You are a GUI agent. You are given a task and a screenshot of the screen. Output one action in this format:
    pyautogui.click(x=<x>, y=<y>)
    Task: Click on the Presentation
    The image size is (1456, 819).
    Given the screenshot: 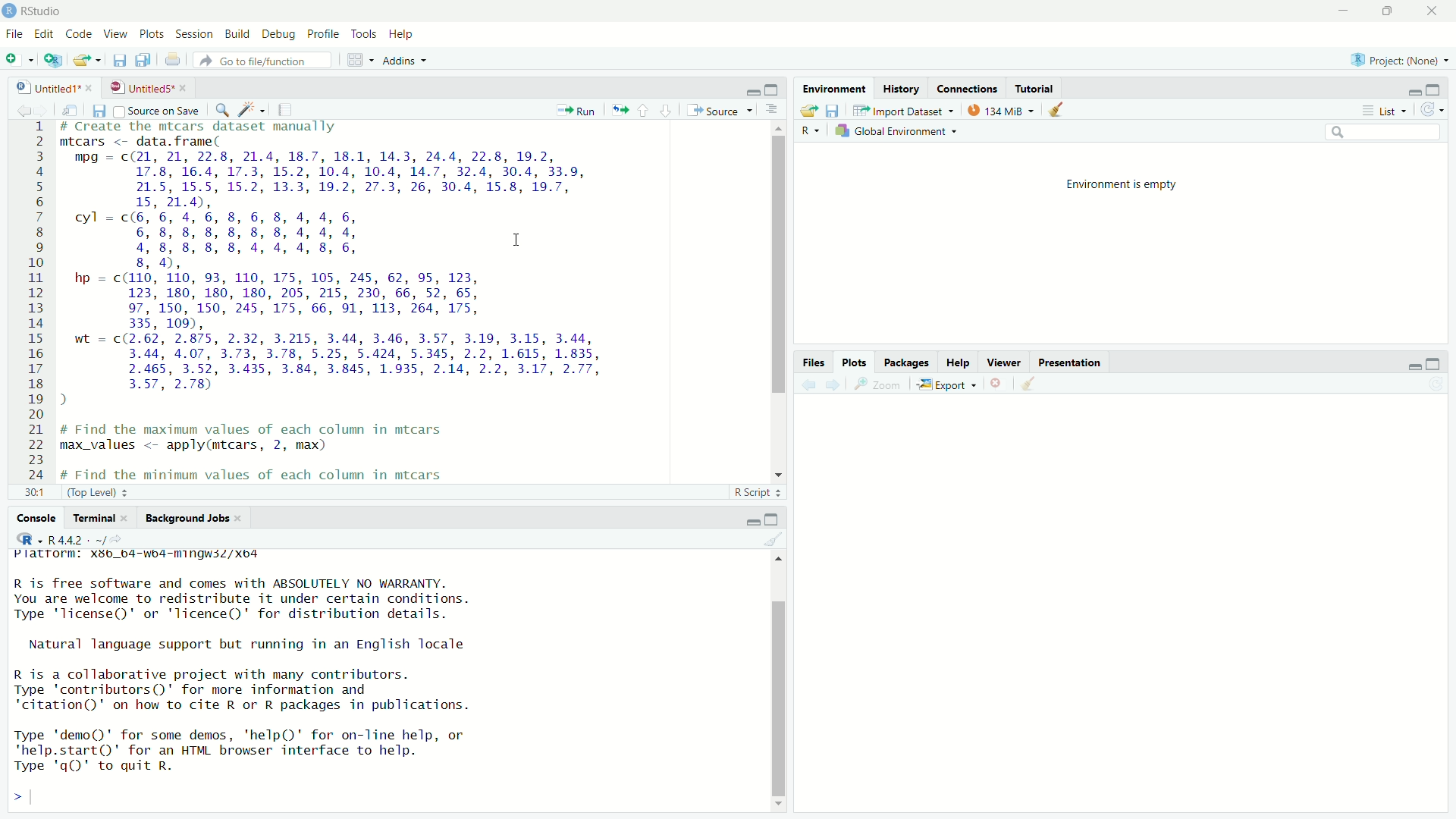 What is the action you would take?
    pyautogui.click(x=1082, y=362)
    